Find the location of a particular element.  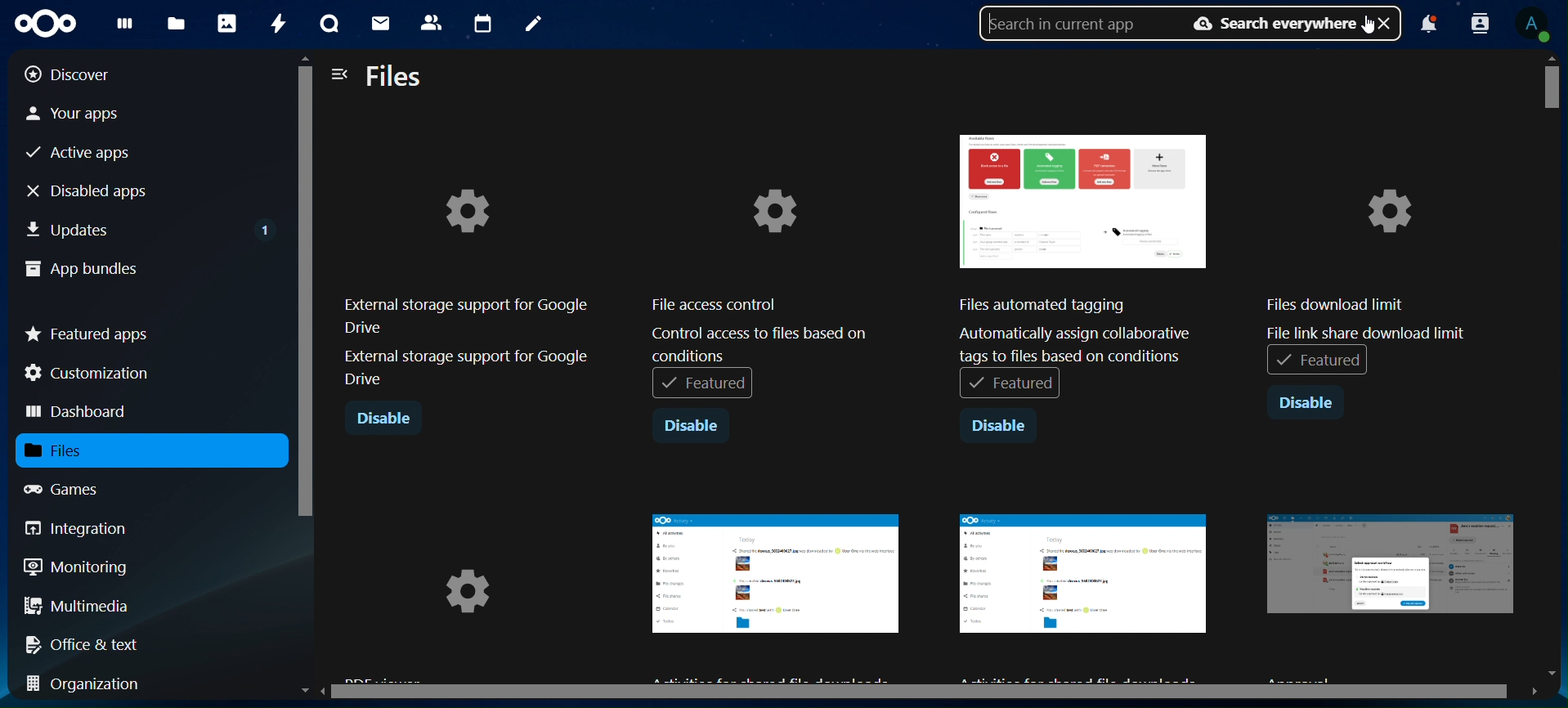

image is located at coordinates (470, 600).